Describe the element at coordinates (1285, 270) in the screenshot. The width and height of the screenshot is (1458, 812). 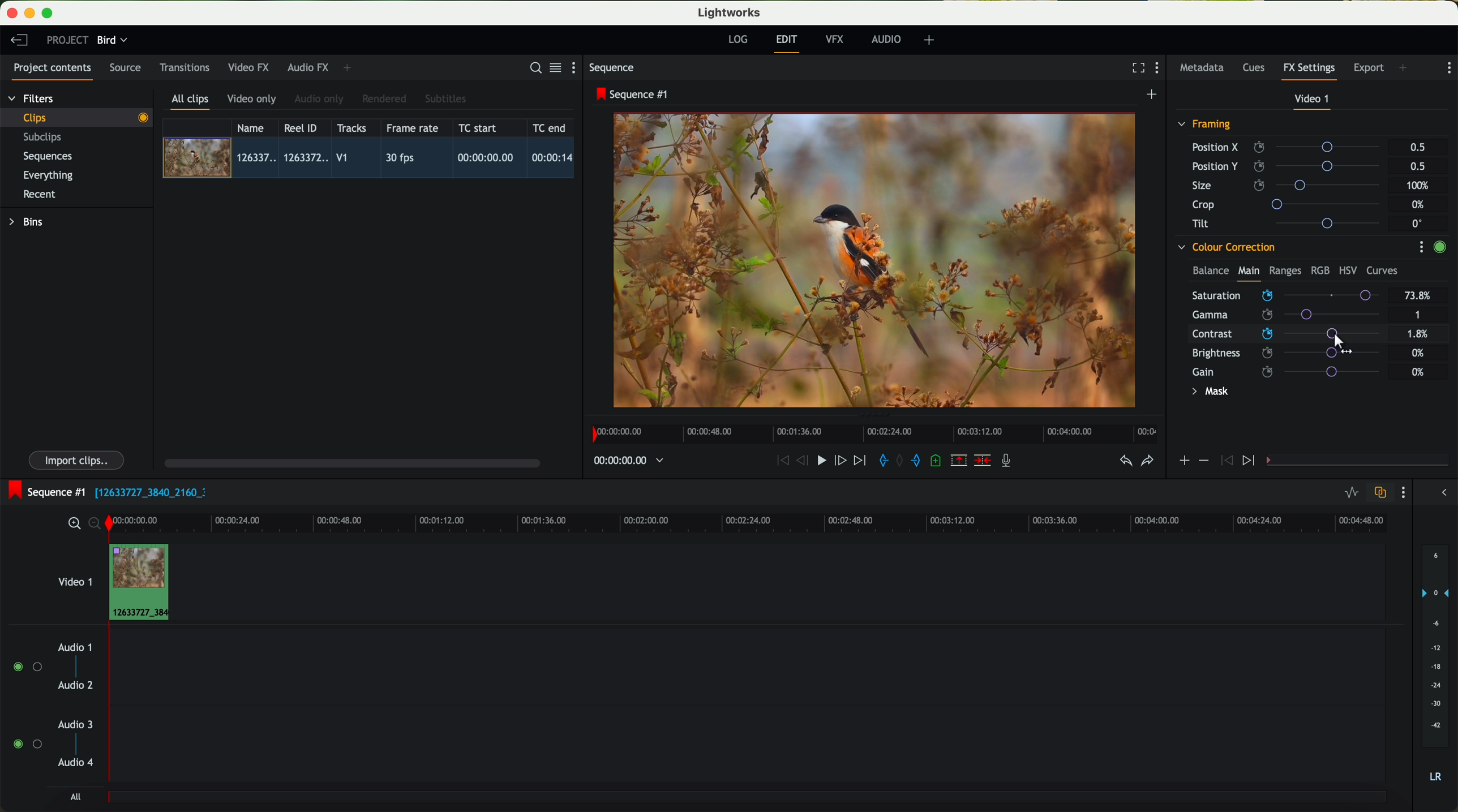
I see `ranges` at that location.